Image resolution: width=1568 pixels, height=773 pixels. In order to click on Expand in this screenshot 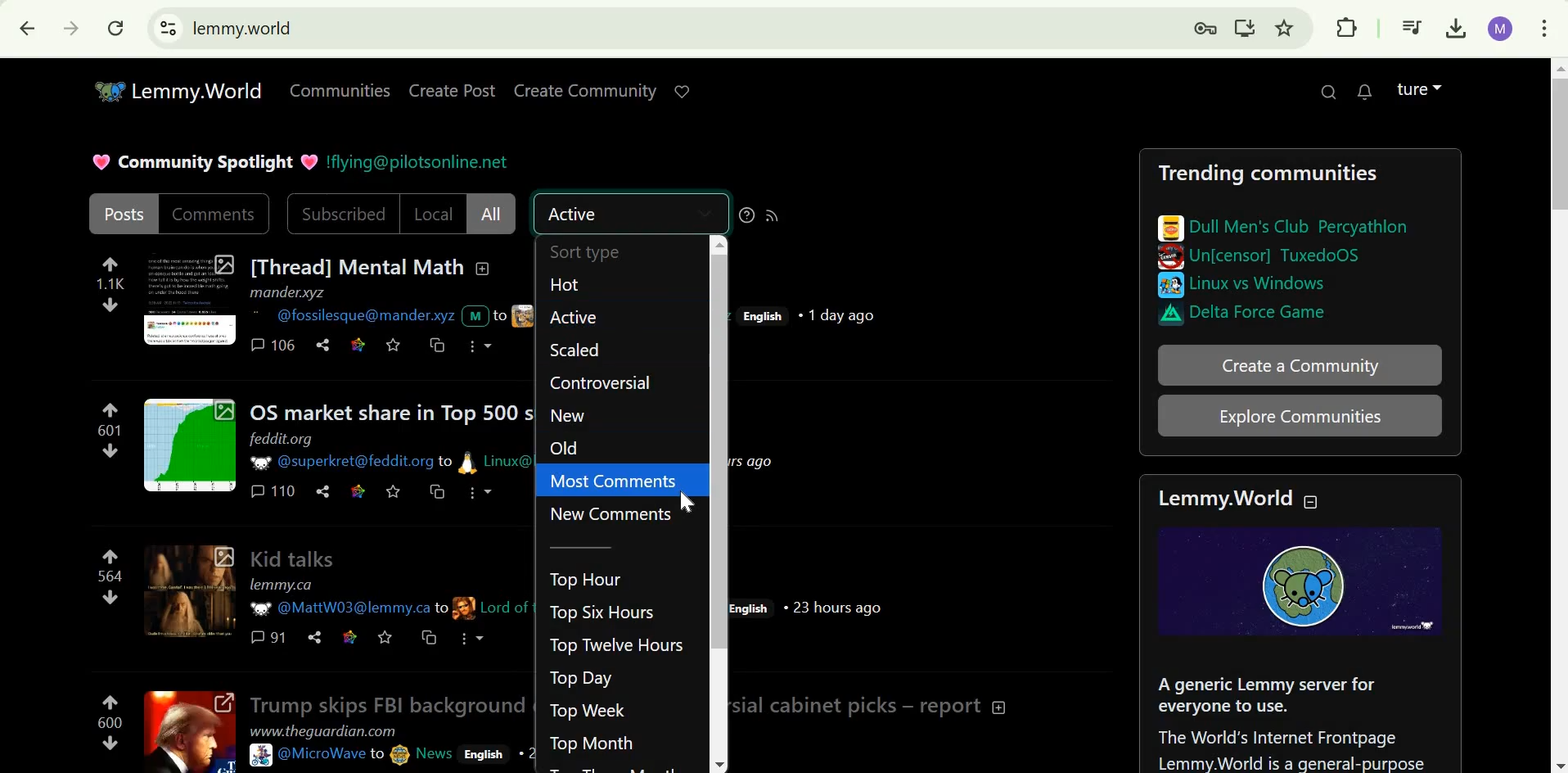, I will do `click(190, 299)`.